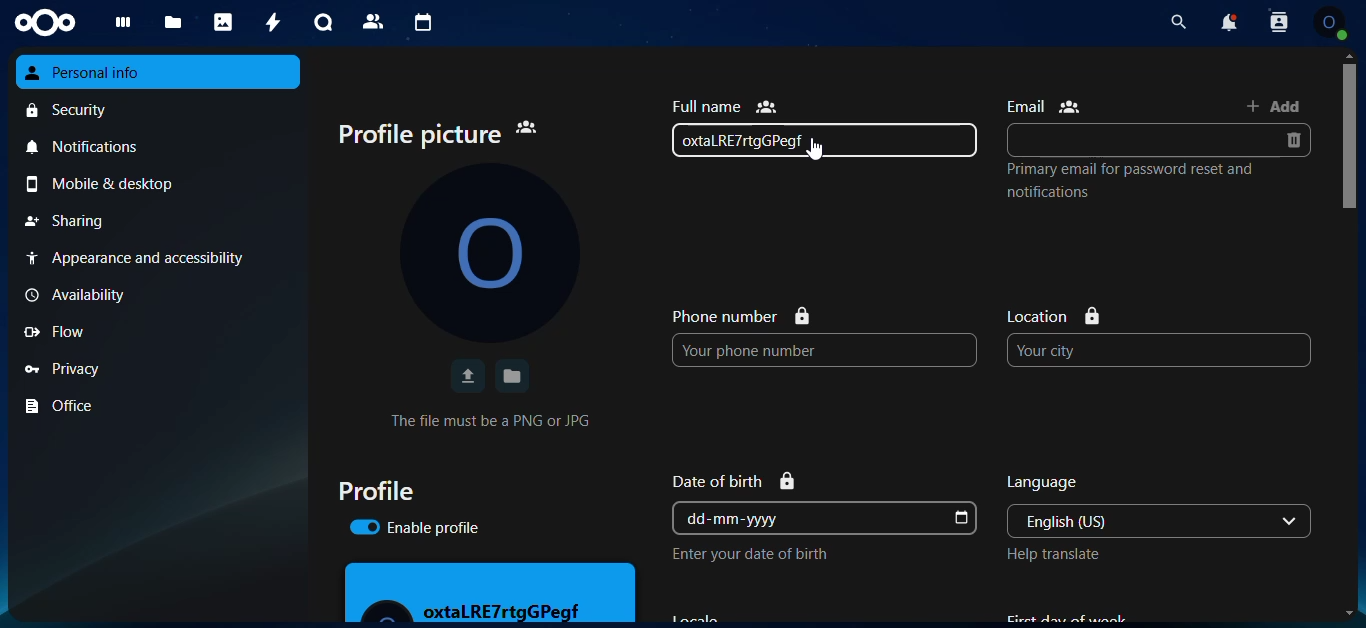 The image size is (1366, 628). What do you see at coordinates (1178, 22) in the screenshot?
I see `search` at bounding box center [1178, 22].